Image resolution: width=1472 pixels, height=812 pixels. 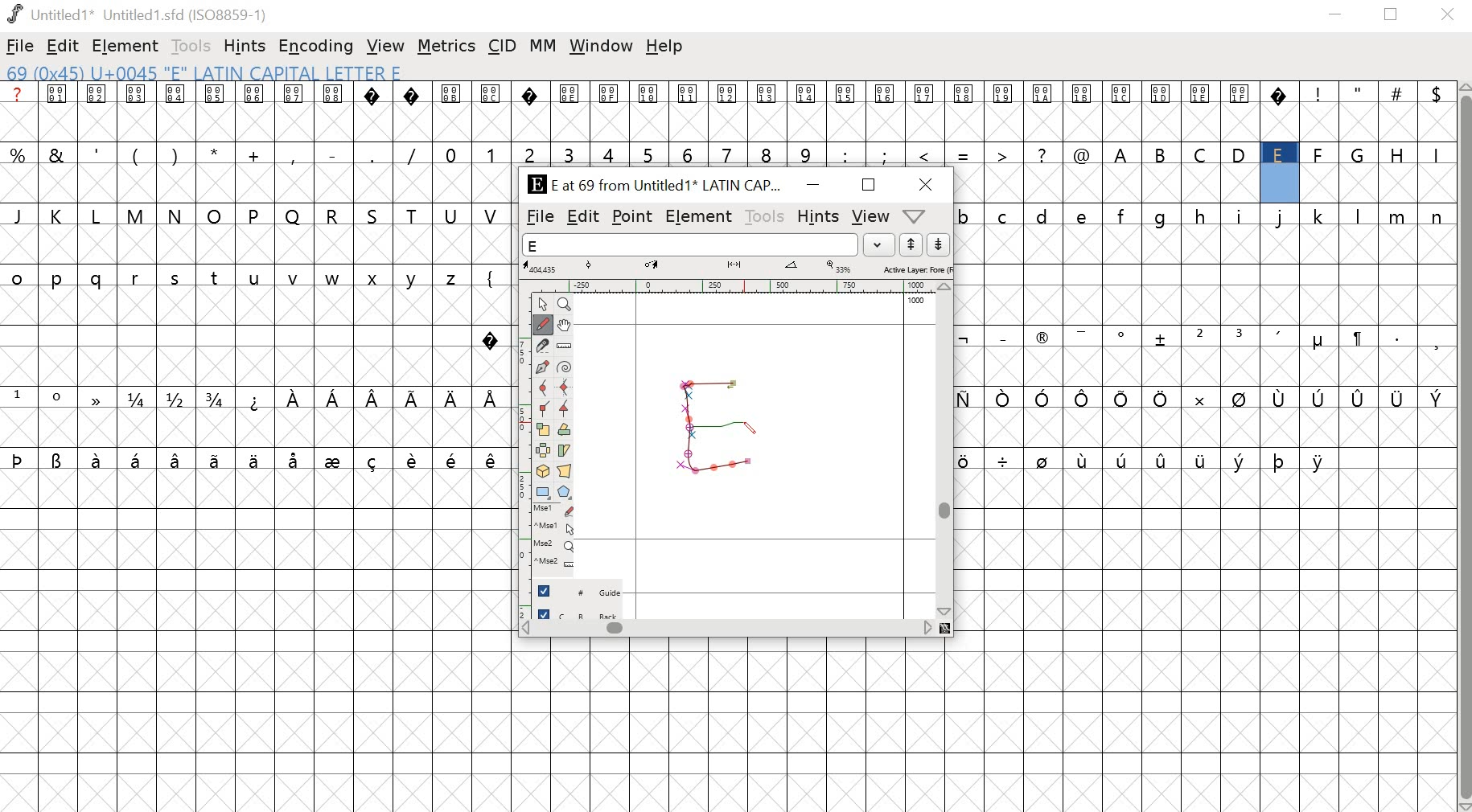 I want to click on element, so click(x=698, y=216).